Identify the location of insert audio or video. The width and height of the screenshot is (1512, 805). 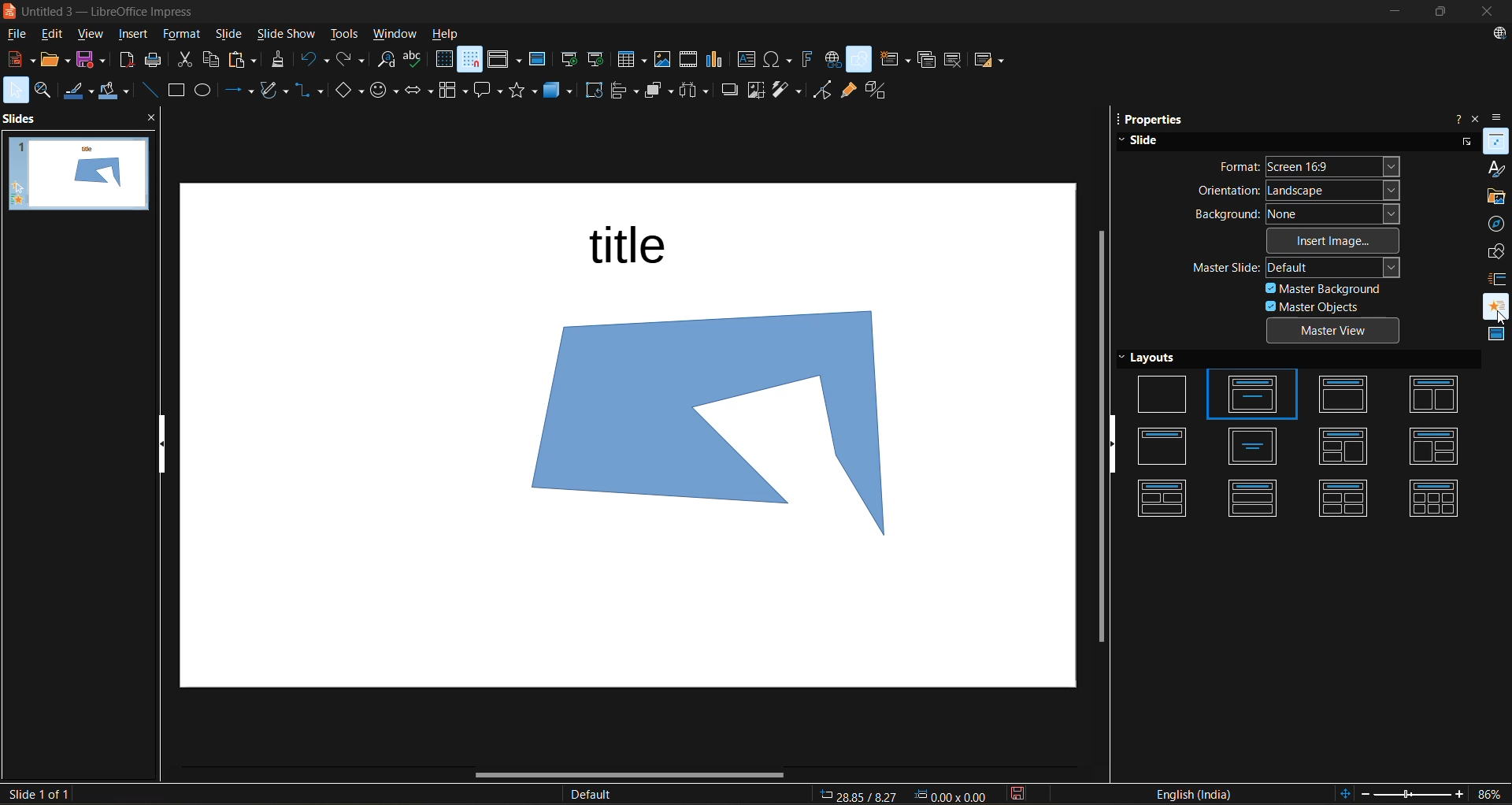
(690, 60).